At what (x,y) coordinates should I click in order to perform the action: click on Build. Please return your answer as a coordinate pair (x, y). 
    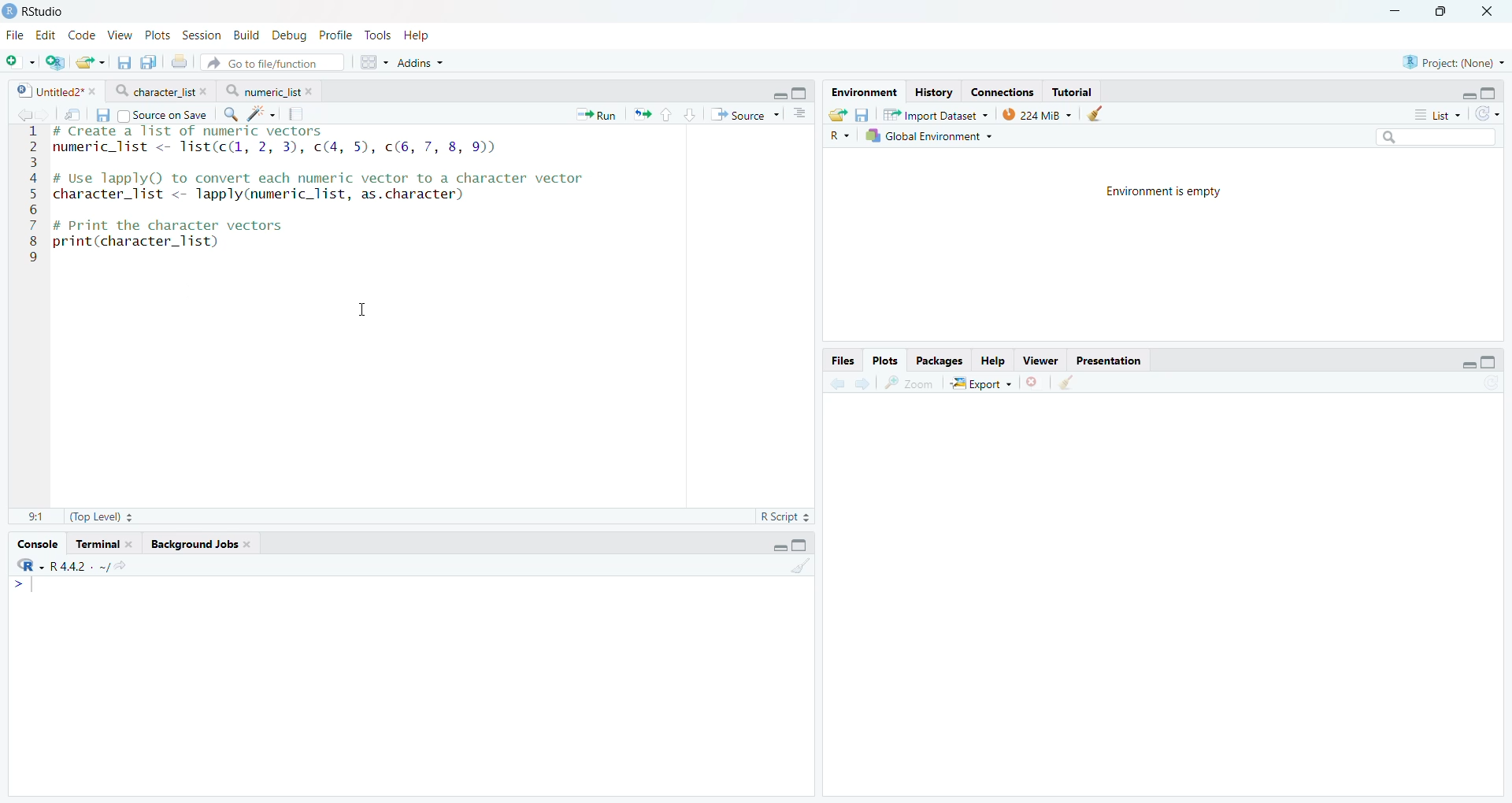
    Looking at the image, I should click on (247, 35).